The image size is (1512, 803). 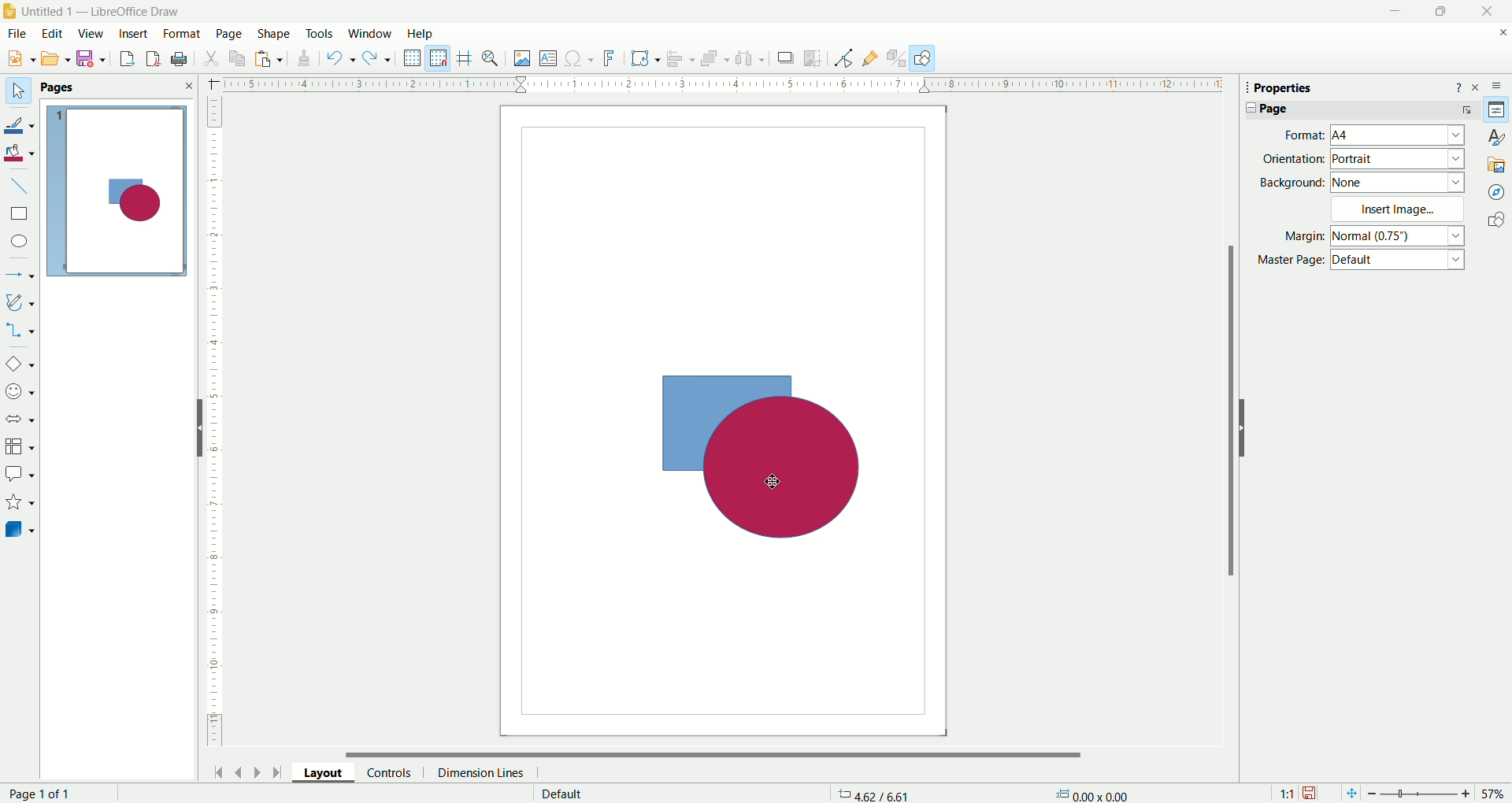 What do you see at coordinates (271, 31) in the screenshot?
I see `shape` at bounding box center [271, 31].